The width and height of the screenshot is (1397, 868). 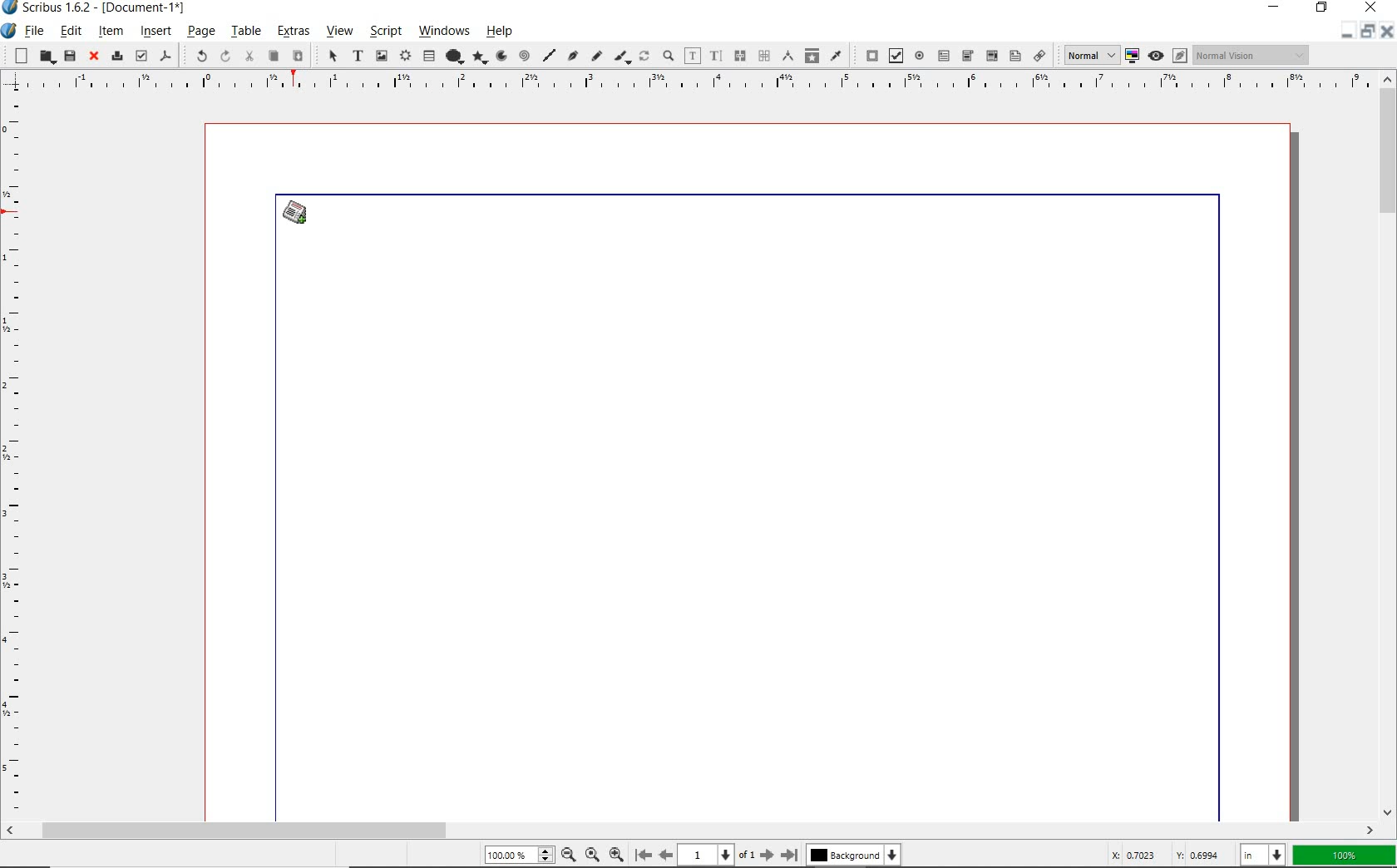 I want to click on shape, so click(x=452, y=57).